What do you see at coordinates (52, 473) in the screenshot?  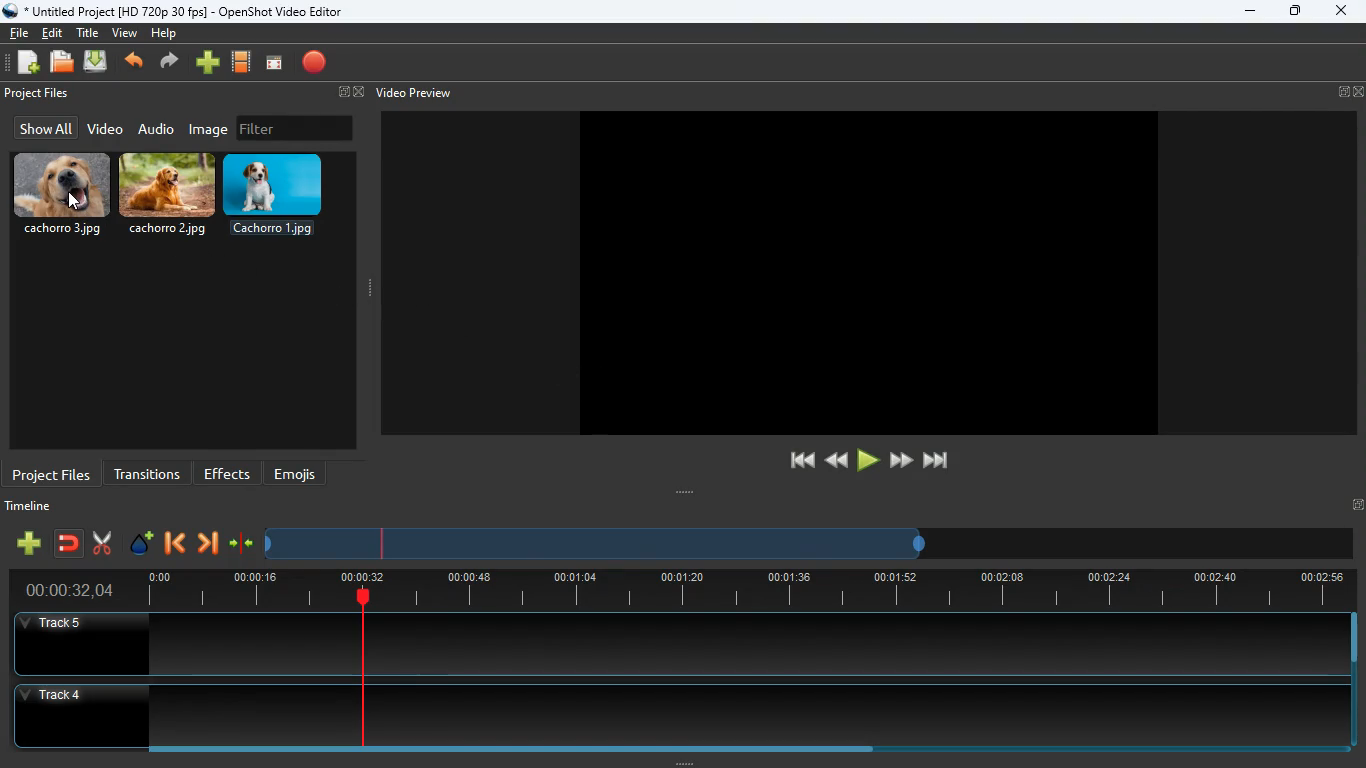 I see `project files` at bounding box center [52, 473].